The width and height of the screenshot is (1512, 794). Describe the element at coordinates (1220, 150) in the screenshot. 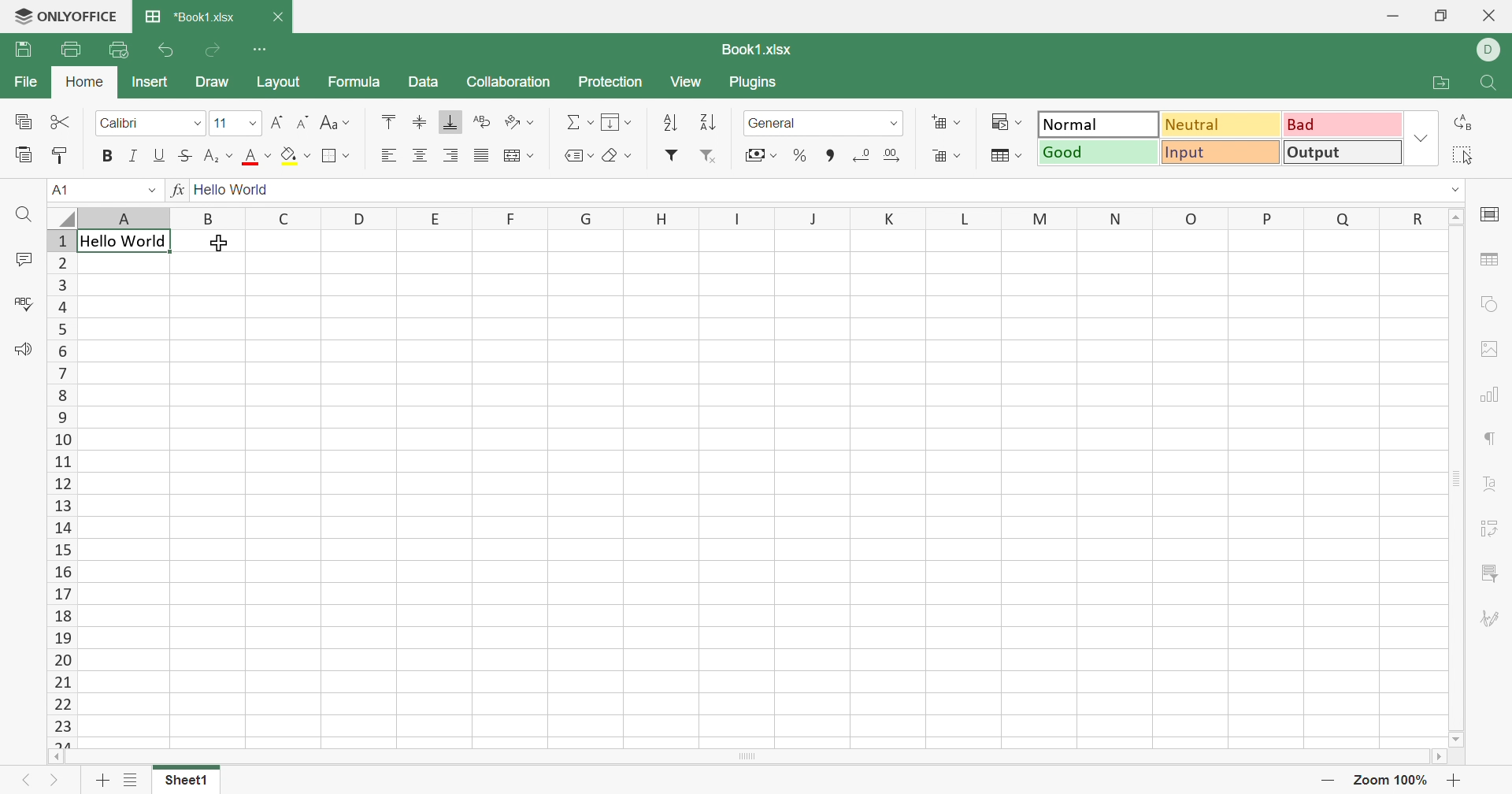

I see `Input` at that location.